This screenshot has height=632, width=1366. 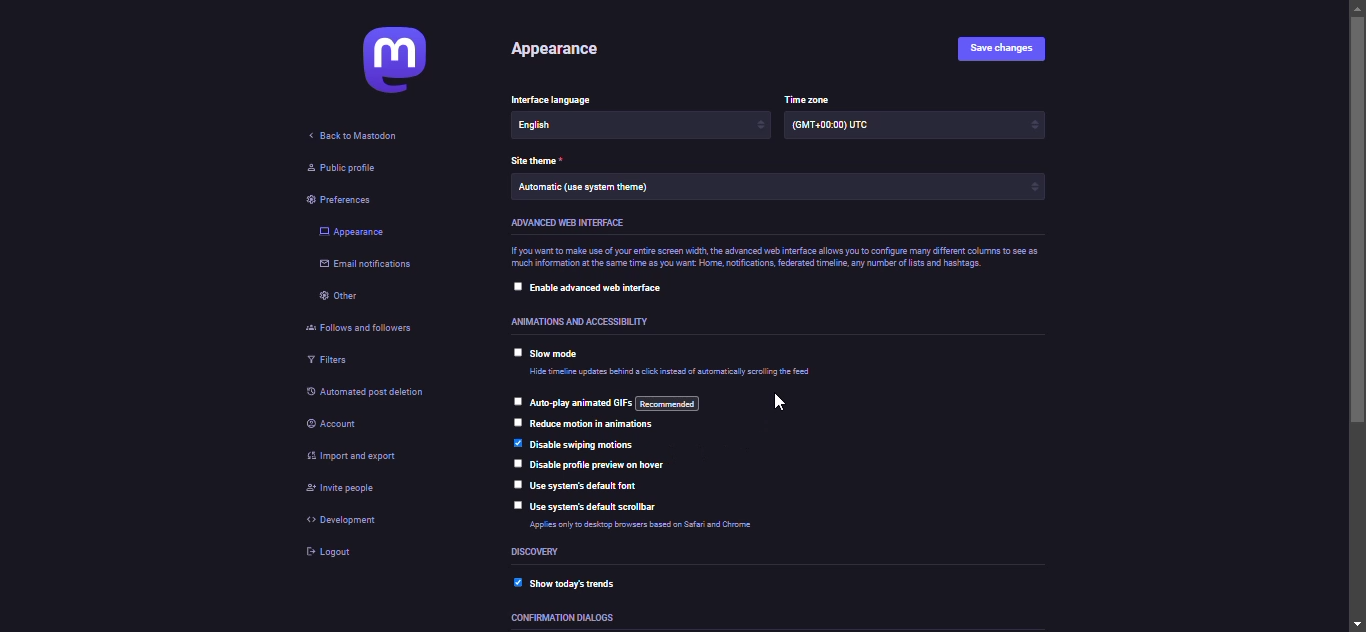 I want to click on import & export, so click(x=356, y=455).